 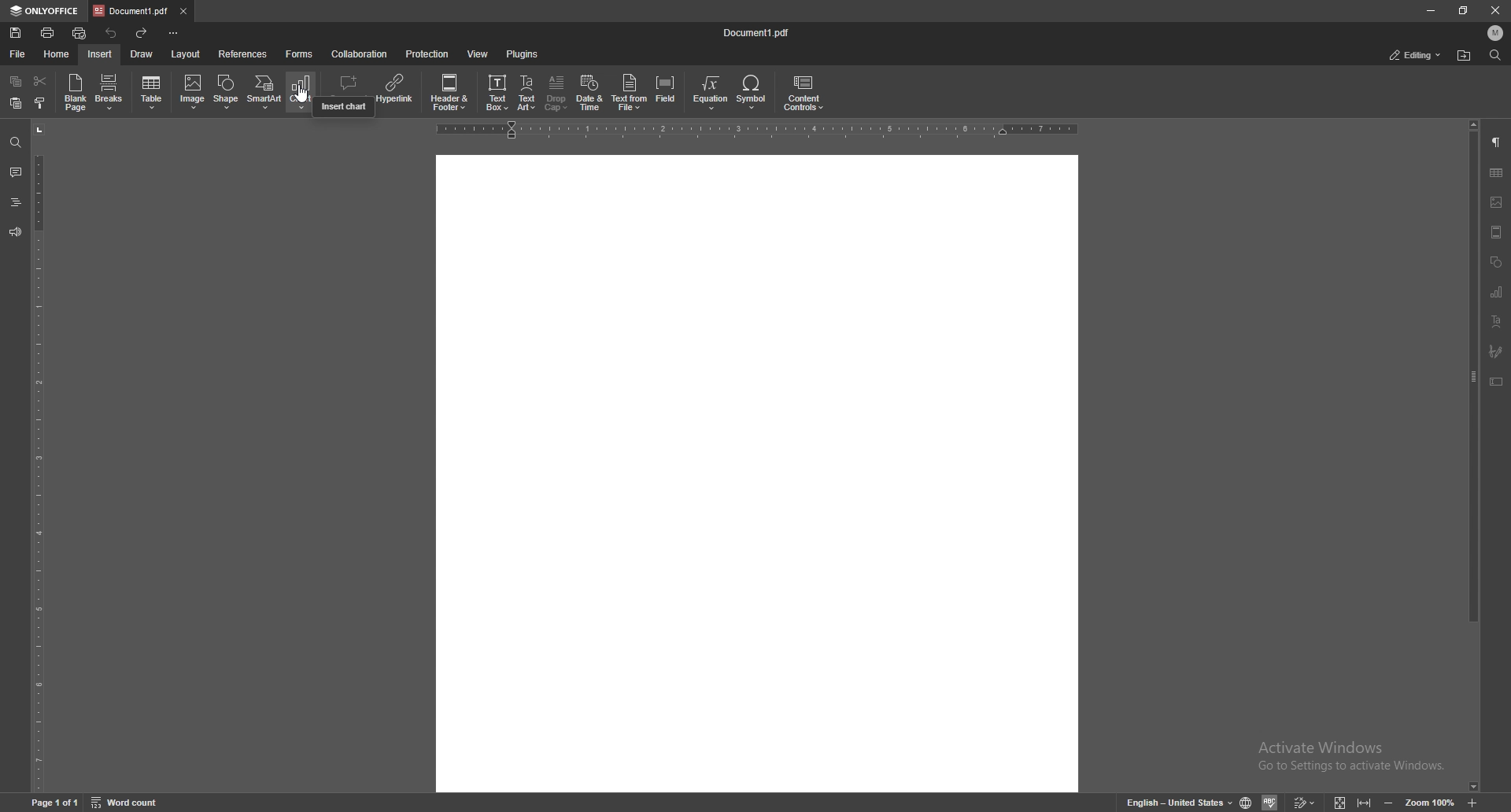 What do you see at coordinates (193, 90) in the screenshot?
I see `checkbox` at bounding box center [193, 90].